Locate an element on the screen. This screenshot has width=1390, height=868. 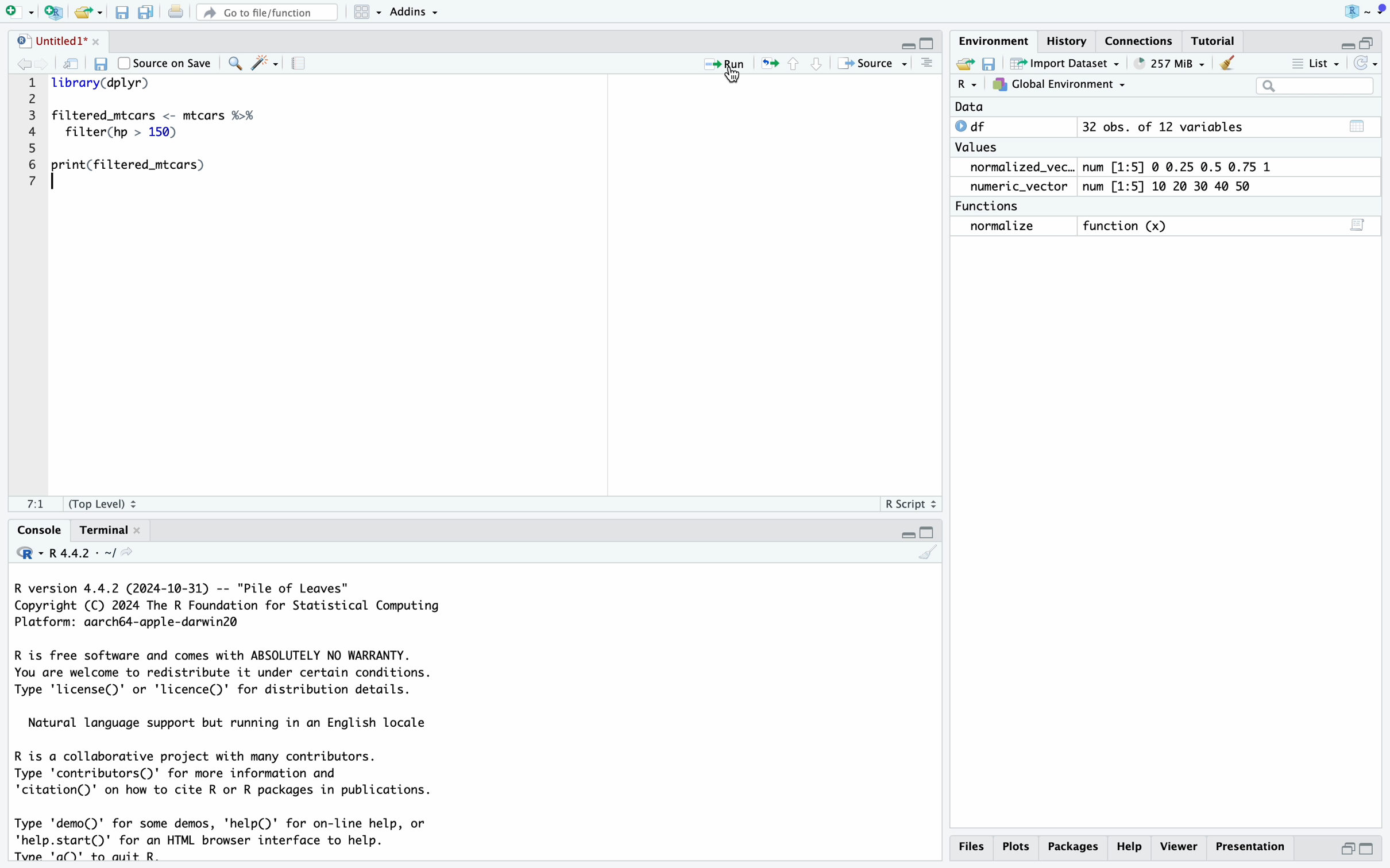
maximize is located at coordinates (930, 44).